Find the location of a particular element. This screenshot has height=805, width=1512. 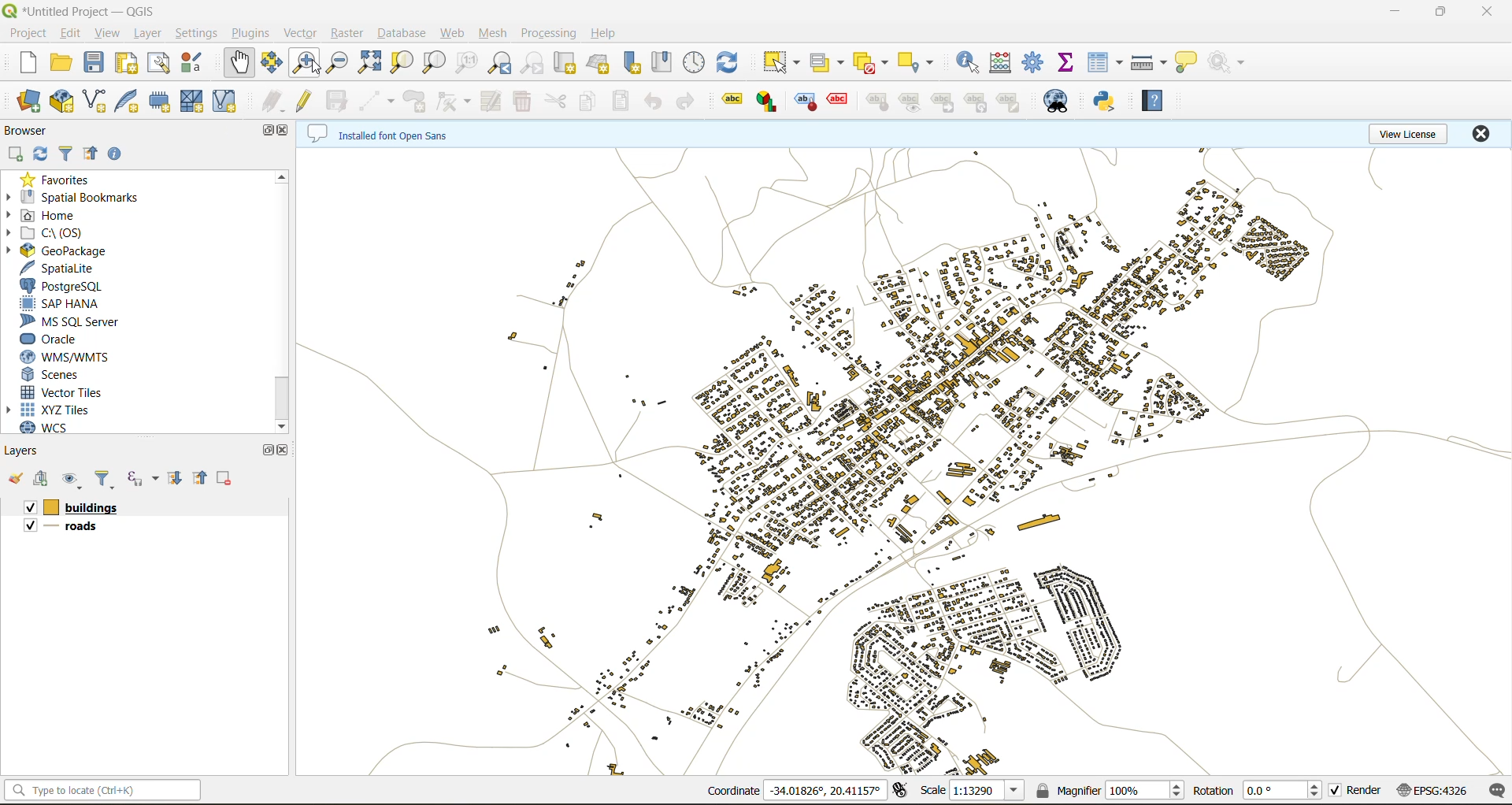

zoom layer is located at coordinates (438, 63).